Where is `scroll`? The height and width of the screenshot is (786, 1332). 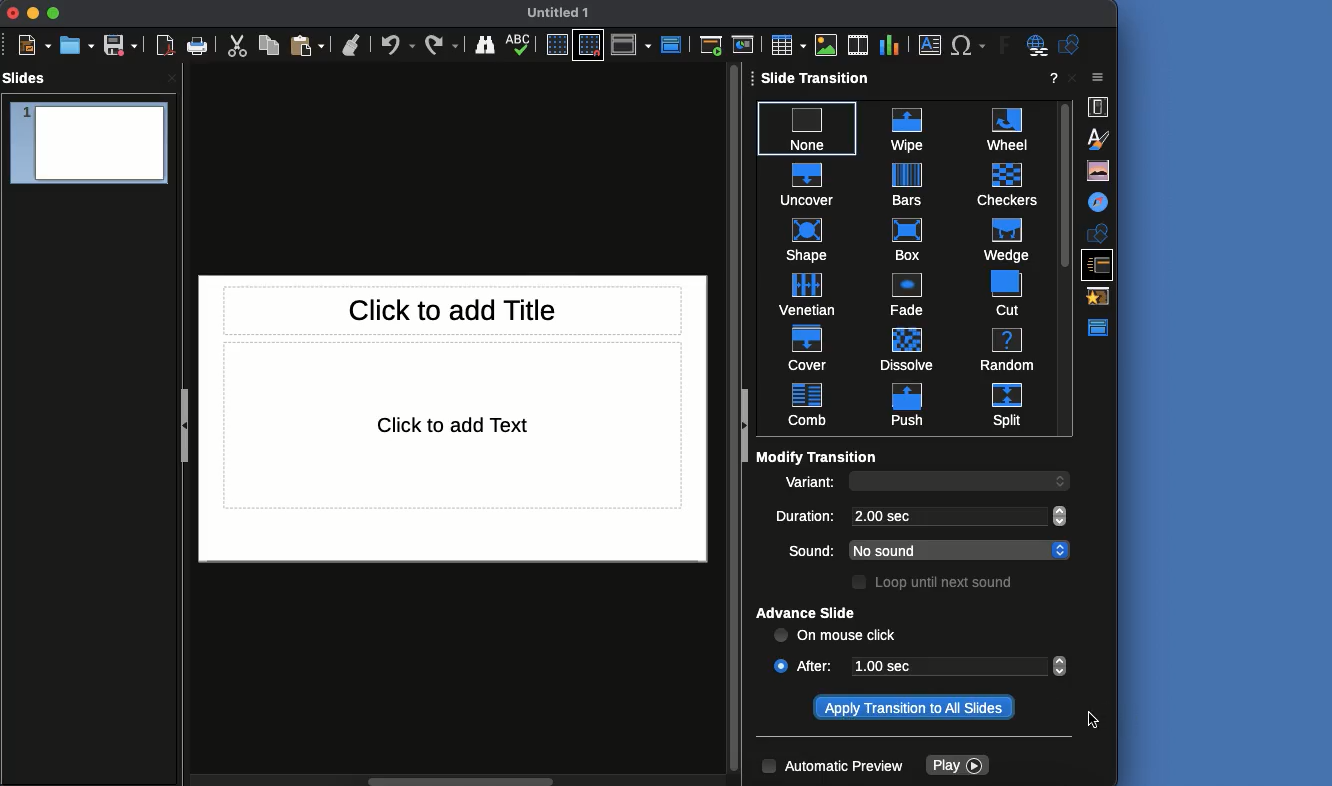 scroll is located at coordinates (1062, 667).